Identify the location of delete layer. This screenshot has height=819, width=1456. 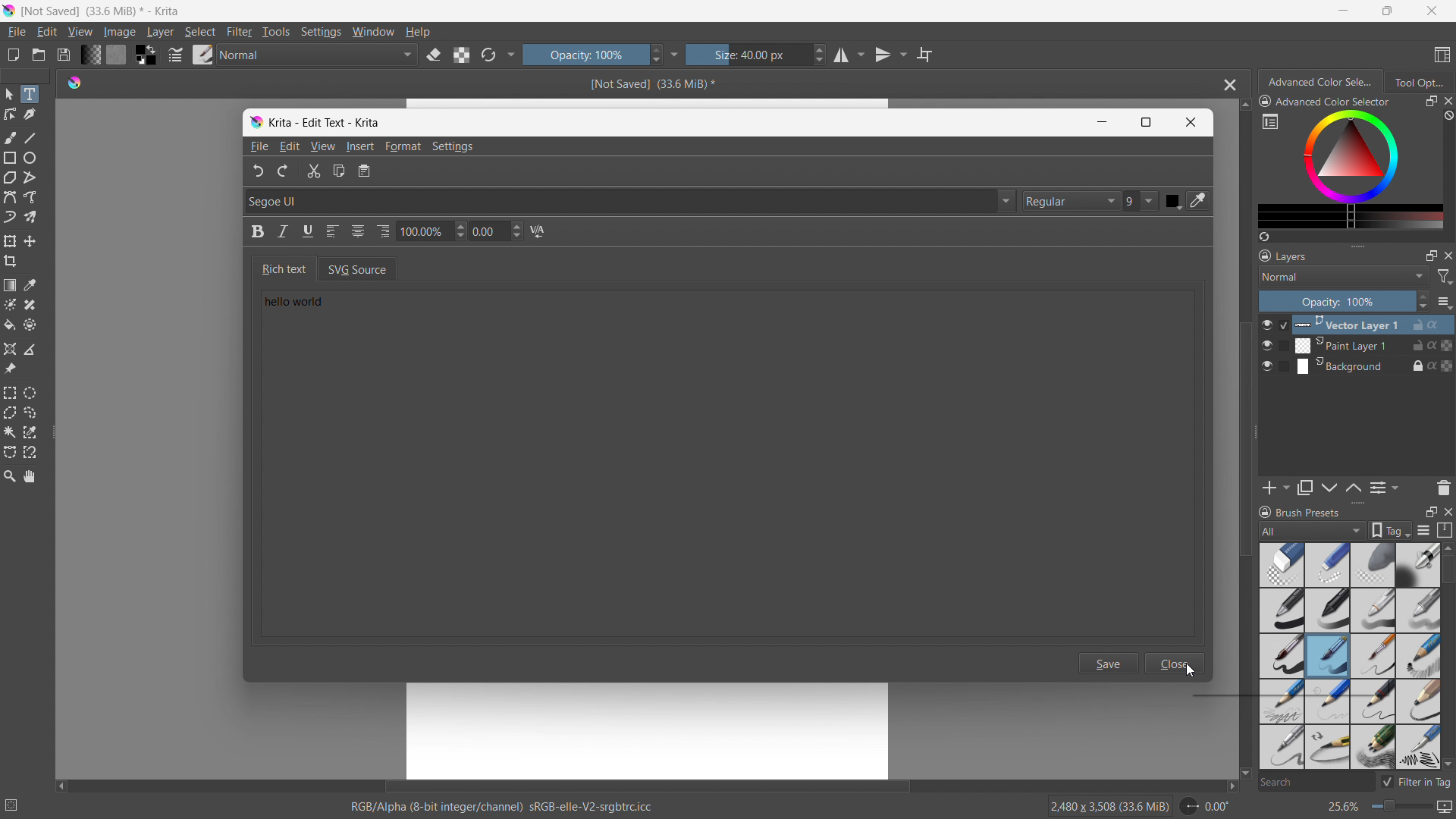
(1443, 487).